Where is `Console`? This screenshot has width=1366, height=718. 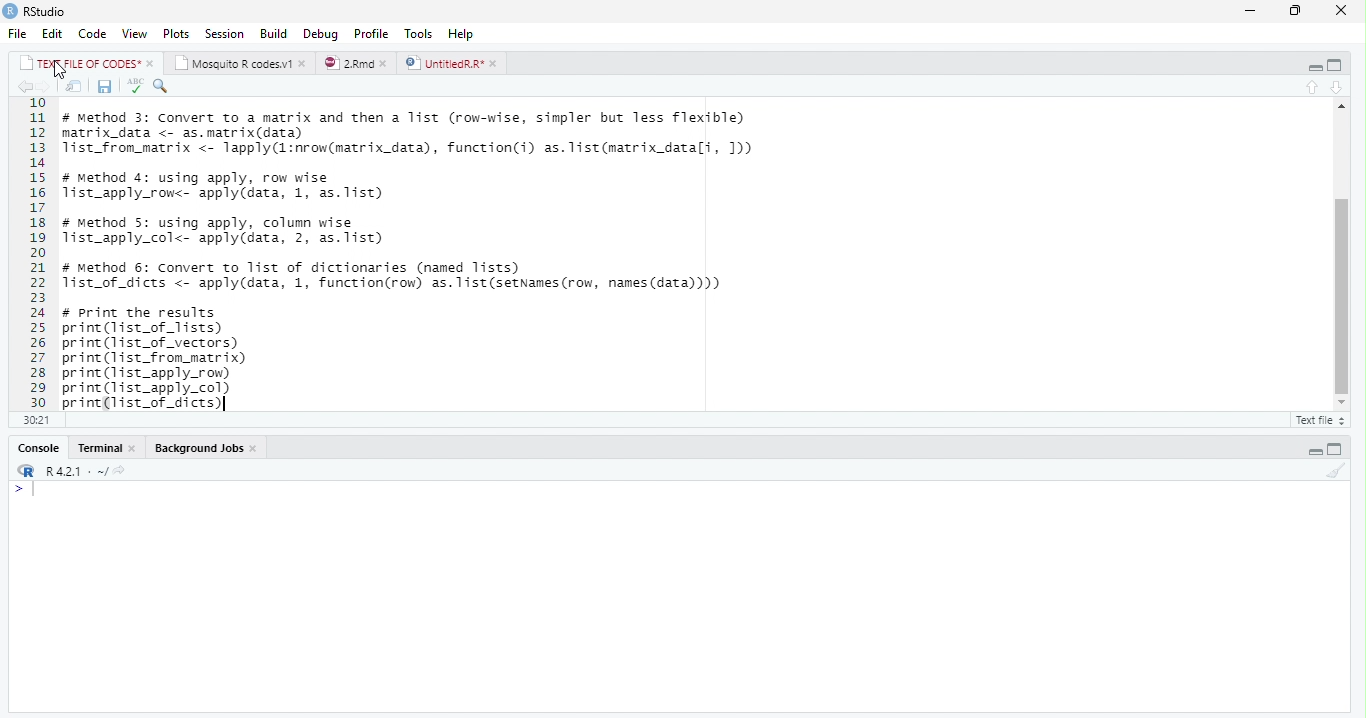
Console is located at coordinates (104, 448).